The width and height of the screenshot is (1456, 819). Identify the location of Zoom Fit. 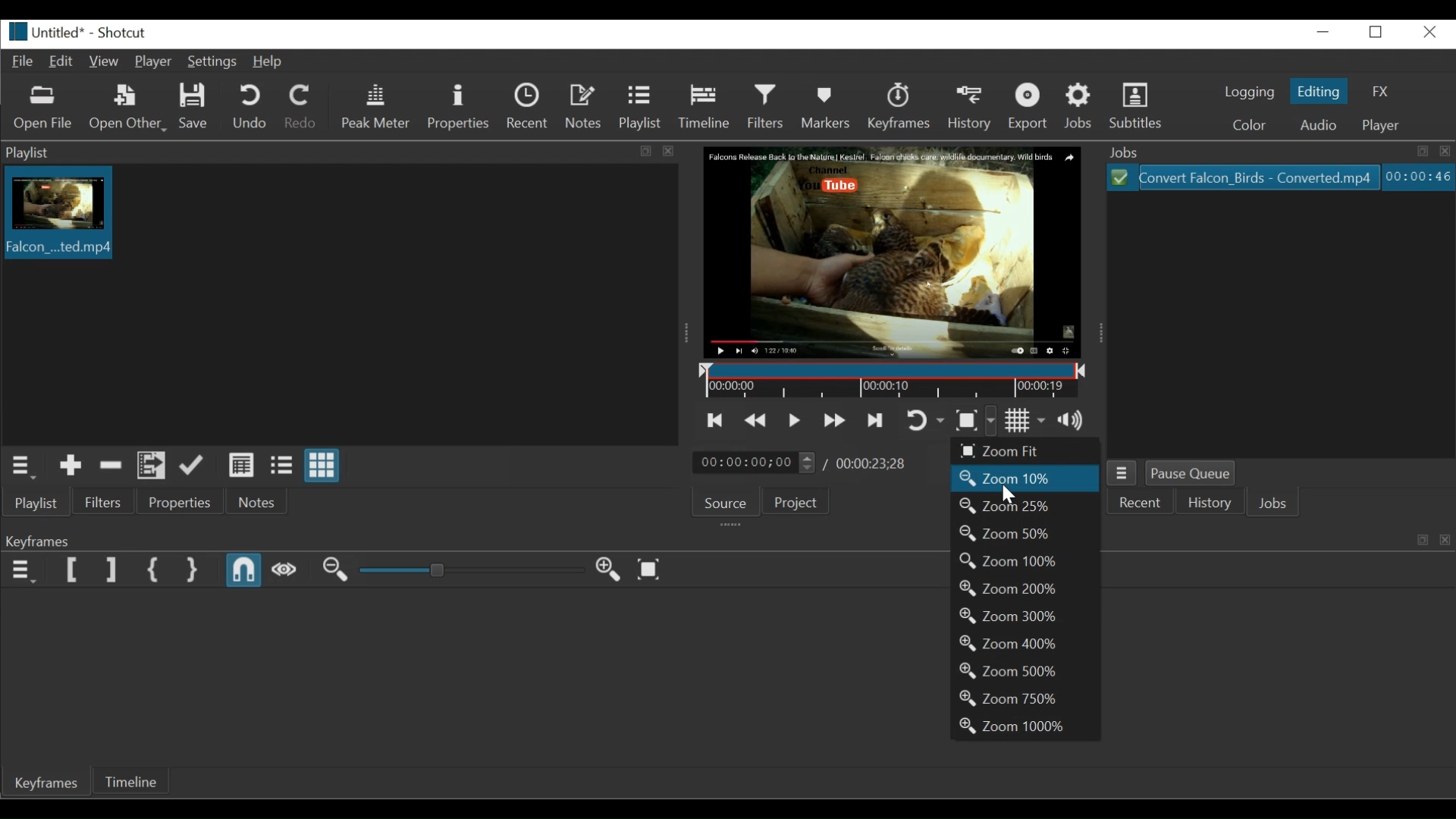
(1025, 451).